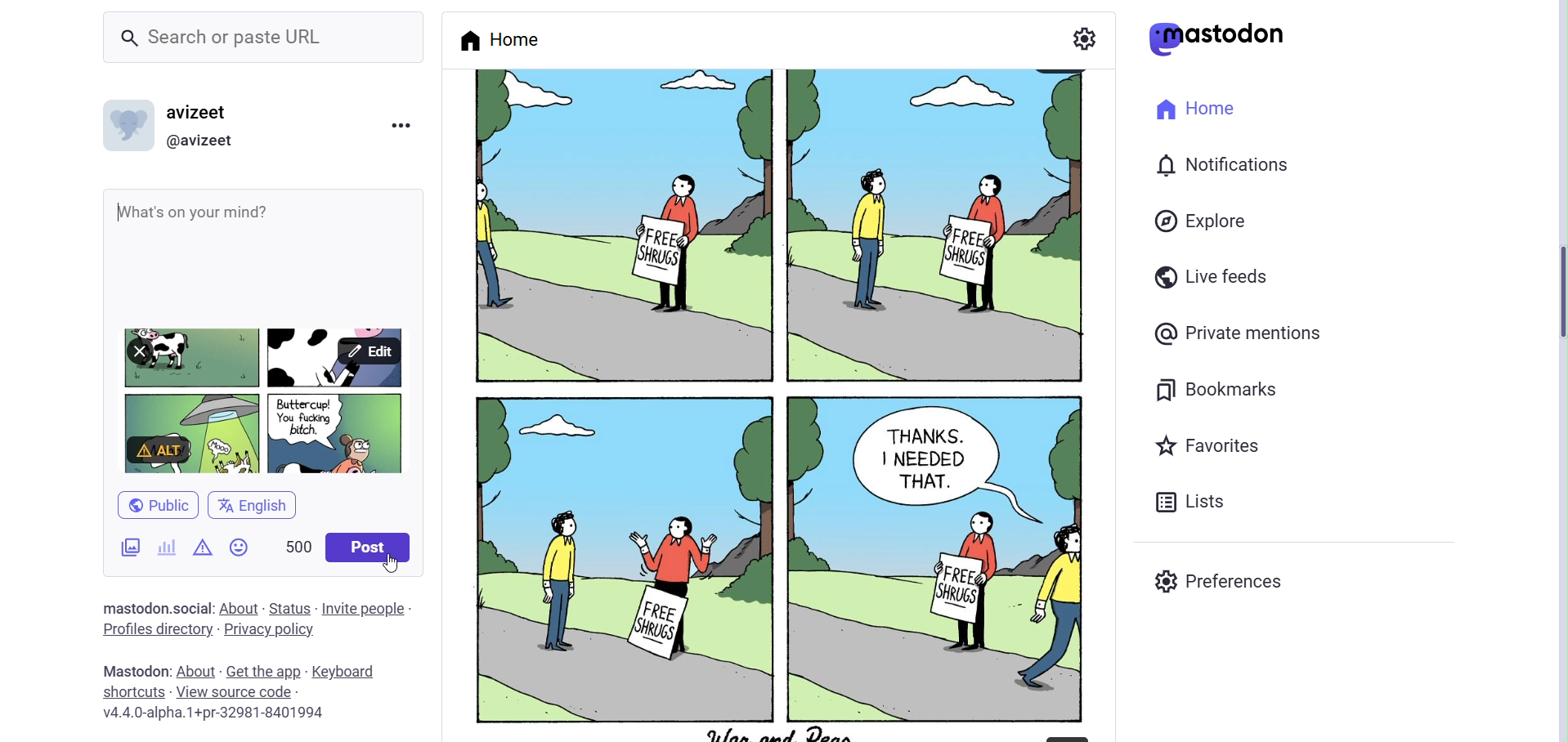 This screenshot has height=742, width=1568. What do you see at coordinates (211, 203) in the screenshot?
I see `whats on your mind` at bounding box center [211, 203].